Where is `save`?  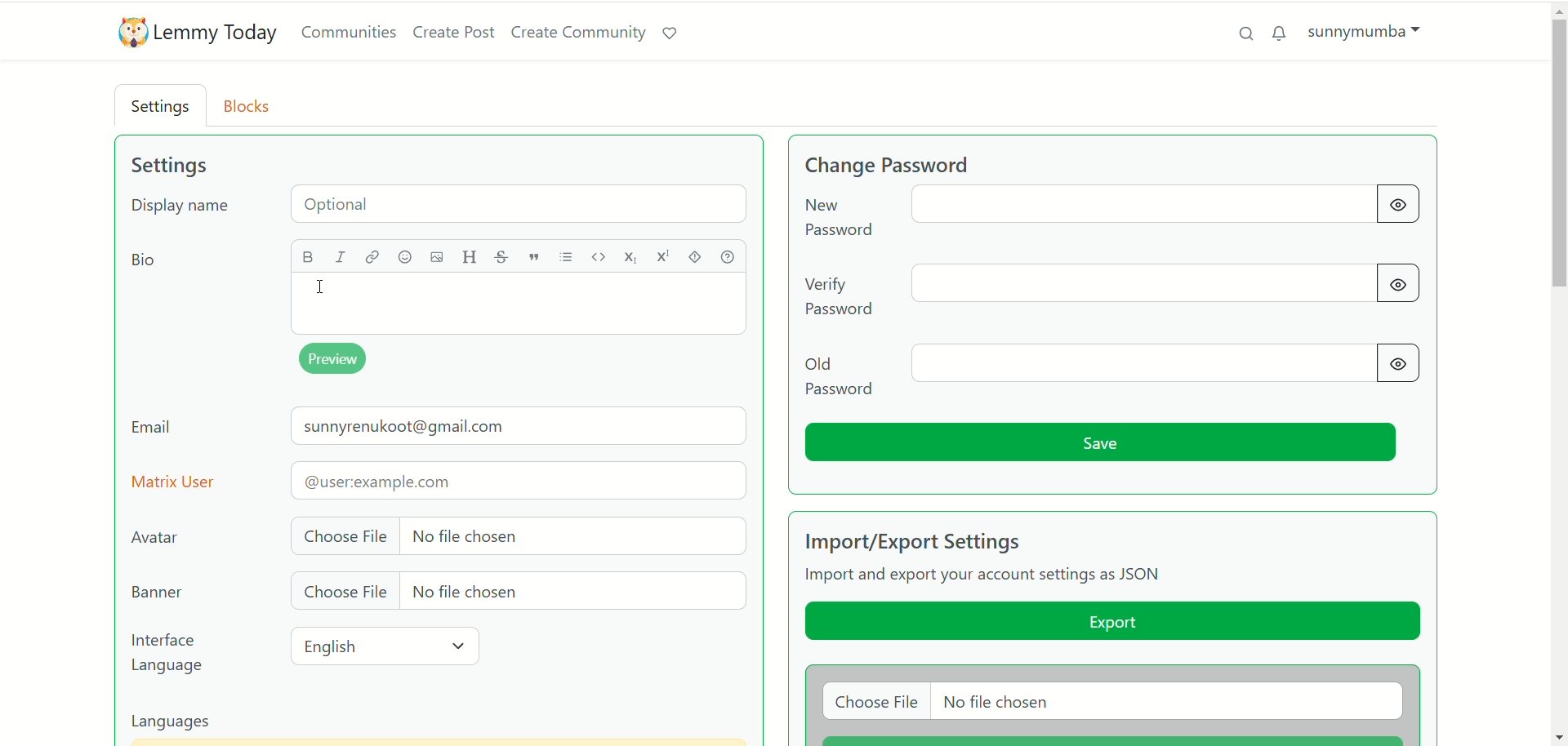 save is located at coordinates (1103, 443).